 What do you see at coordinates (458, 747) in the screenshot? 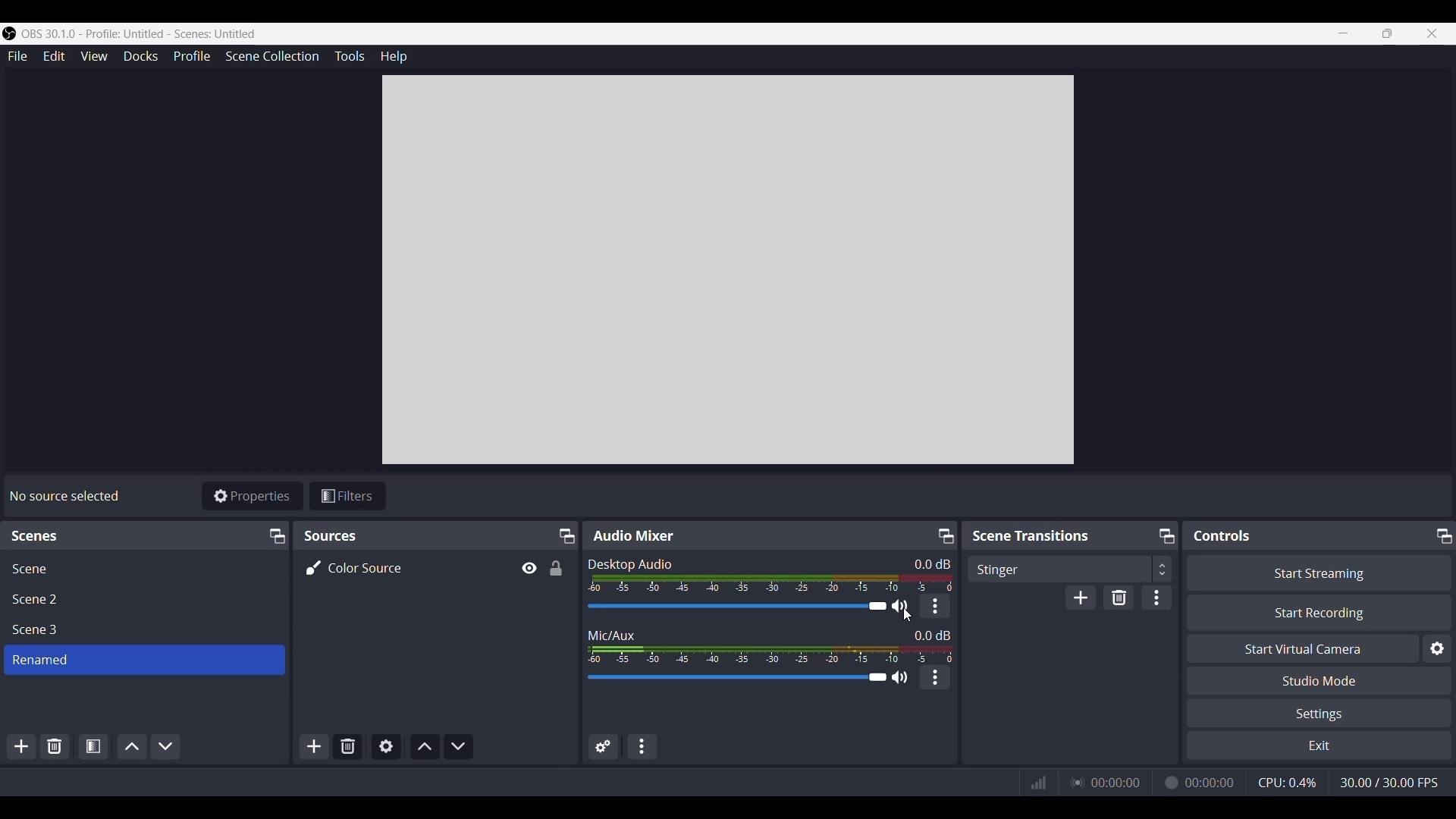
I see `Move source one step down` at bounding box center [458, 747].